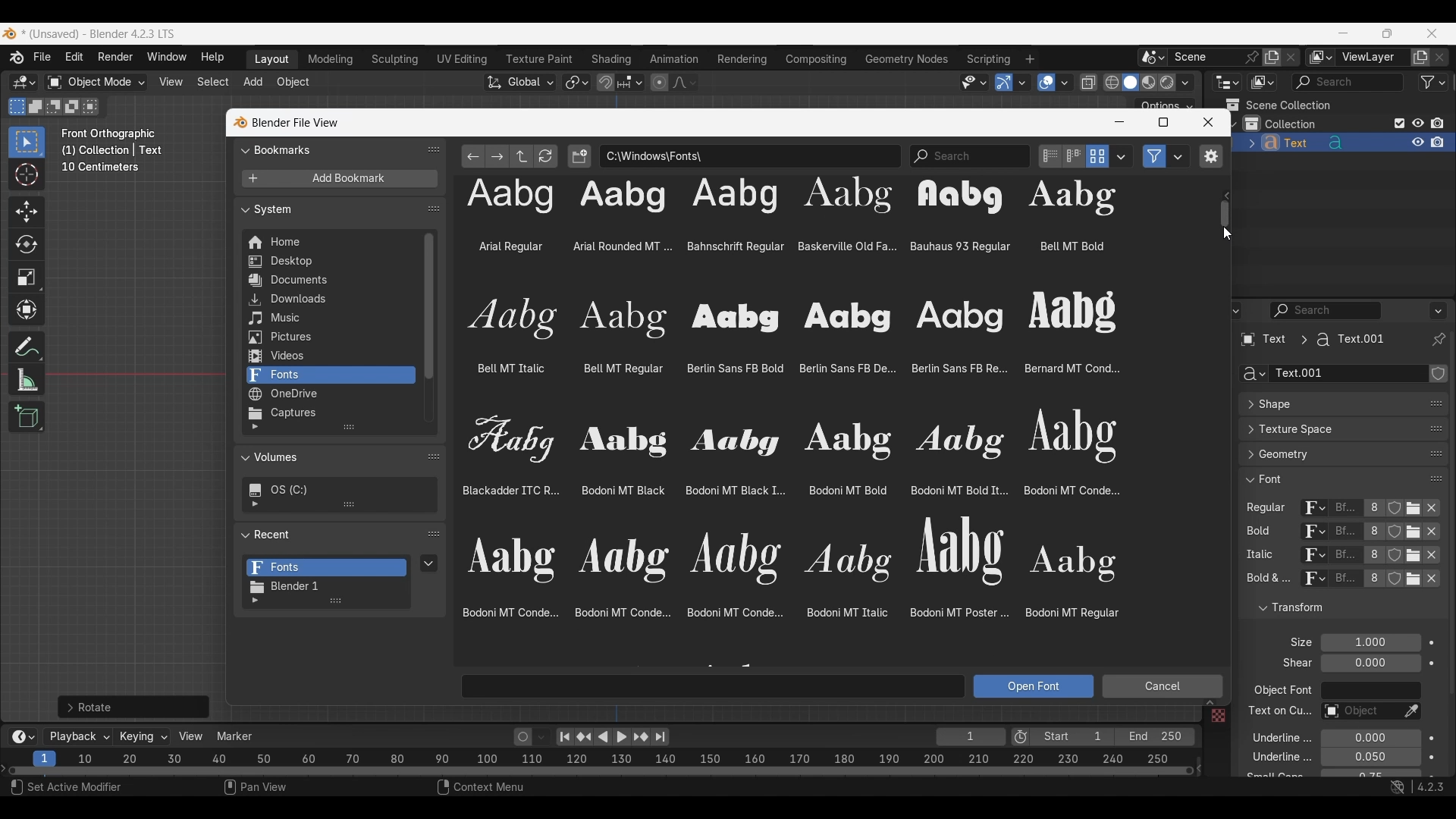 This screenshot has height=819, width=1456. I want to click on Measure, so click(27, 380).